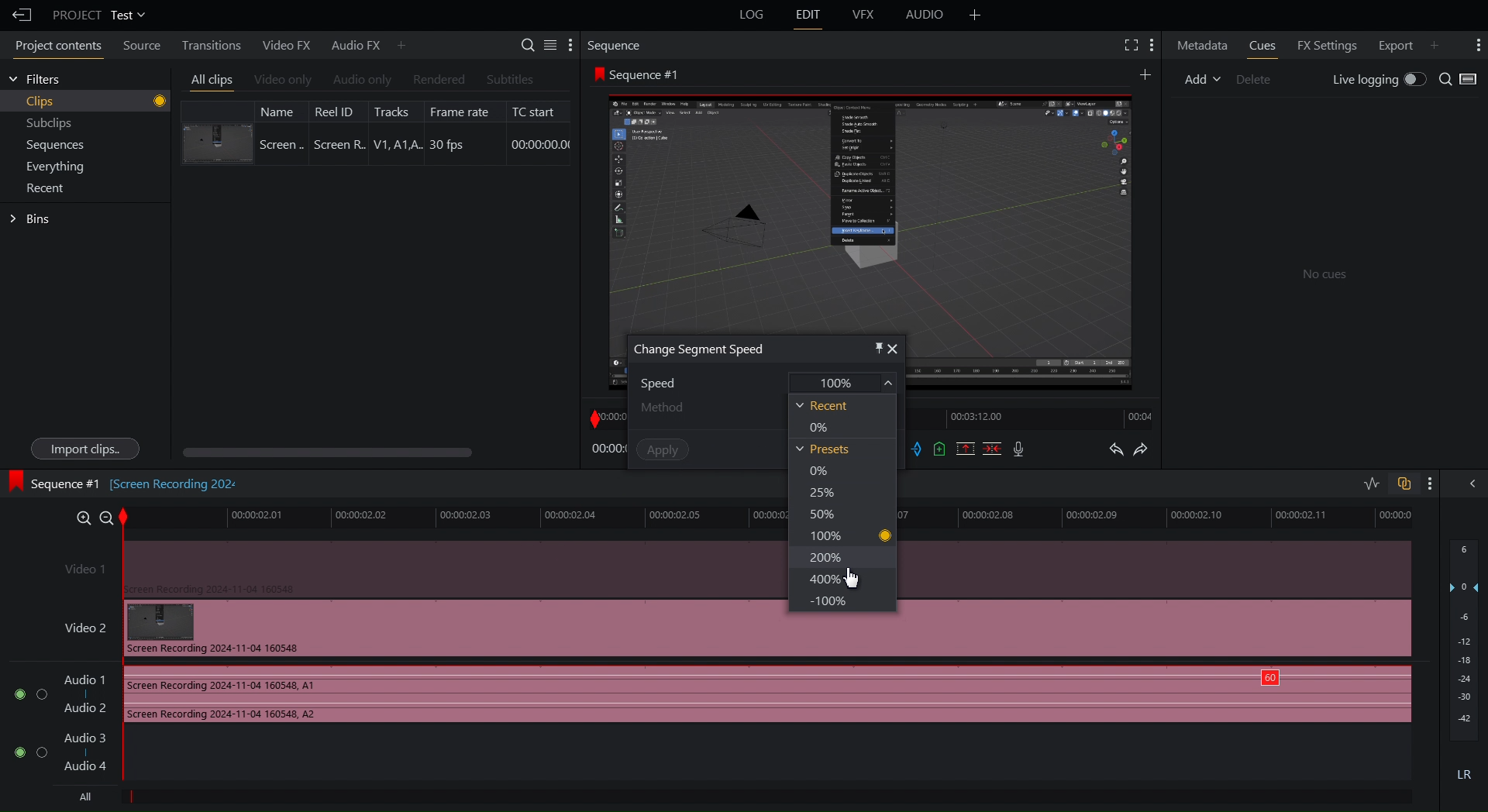 The height and width of the screenshot is (812, 1488). I want to click on Scroll bar, so click(354, 452).